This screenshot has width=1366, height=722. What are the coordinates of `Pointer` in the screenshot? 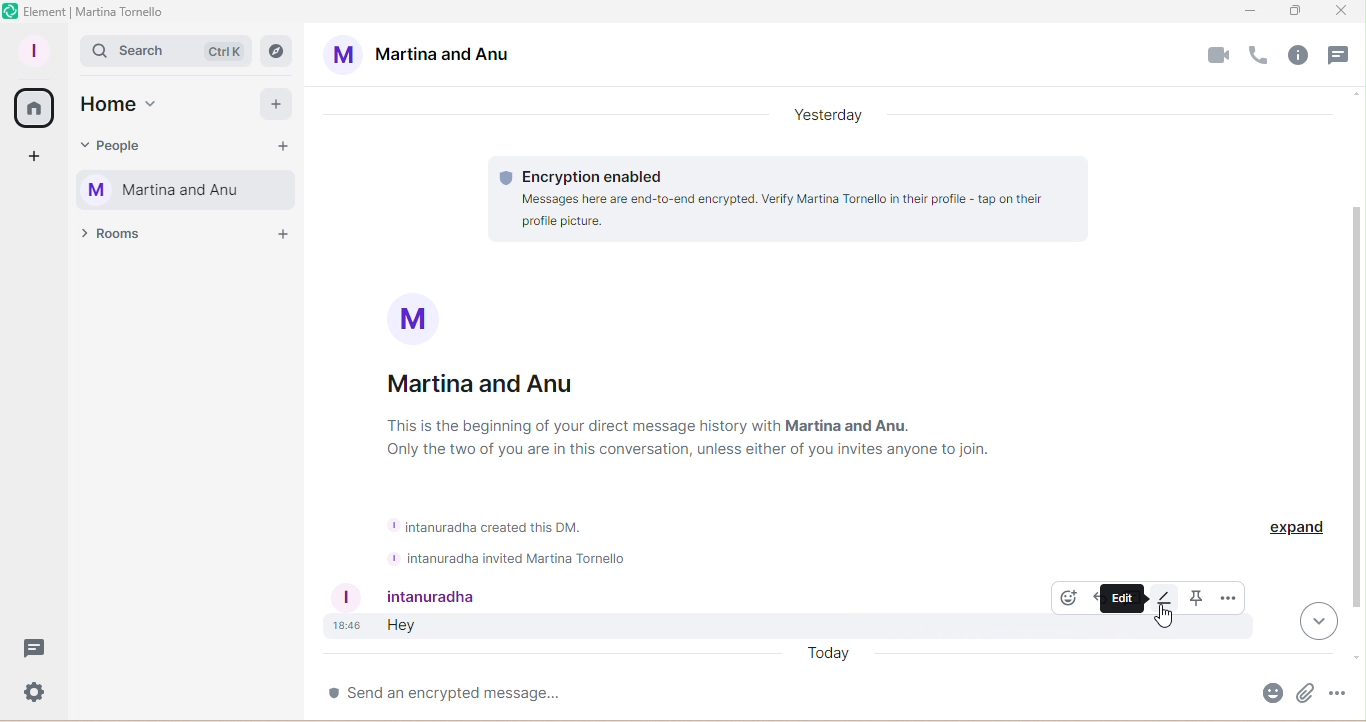 It's located at (1162, 617).